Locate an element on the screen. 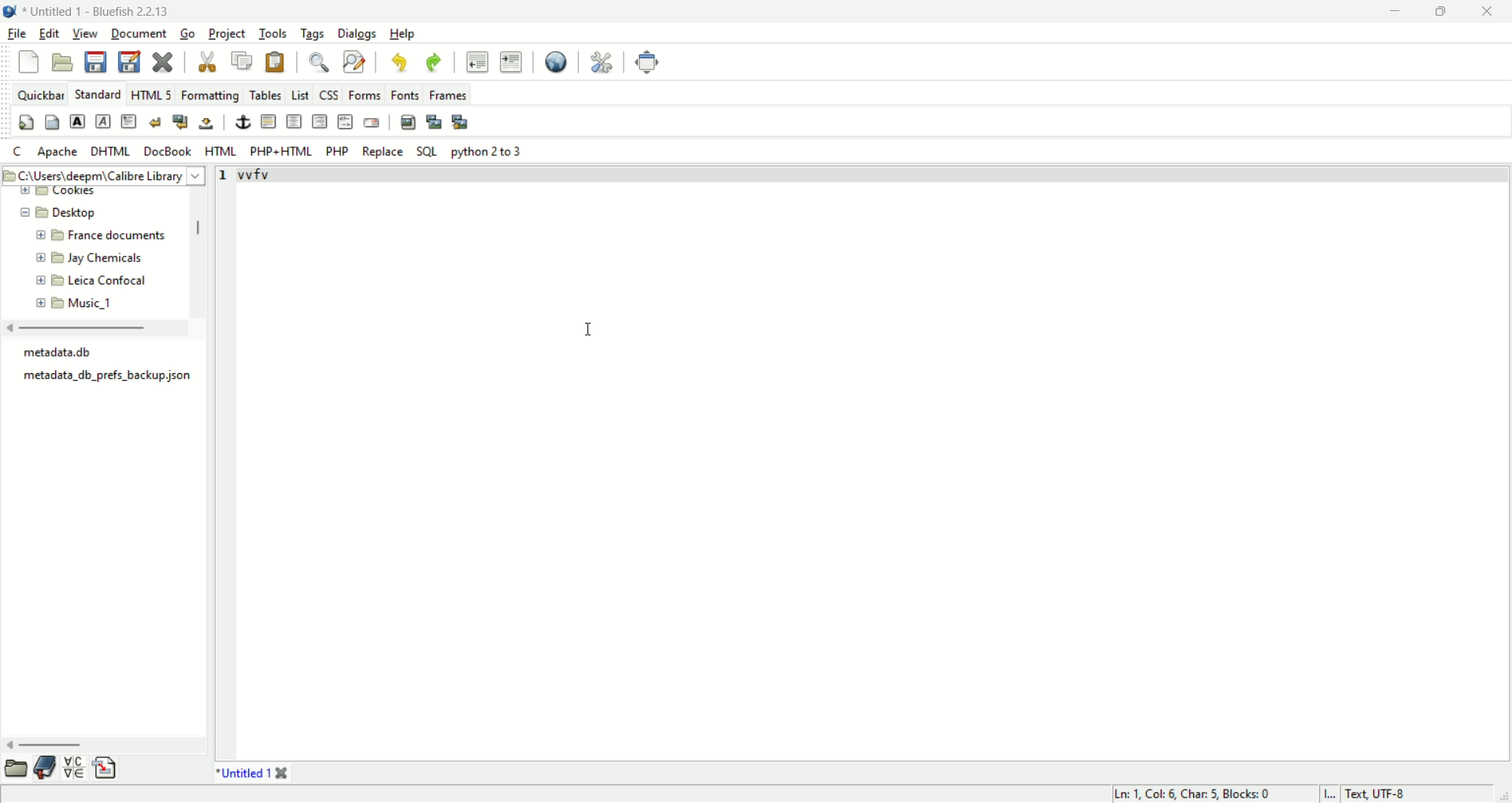 The image size is (1512, 803). charmap is located at coordinates (72, 770).